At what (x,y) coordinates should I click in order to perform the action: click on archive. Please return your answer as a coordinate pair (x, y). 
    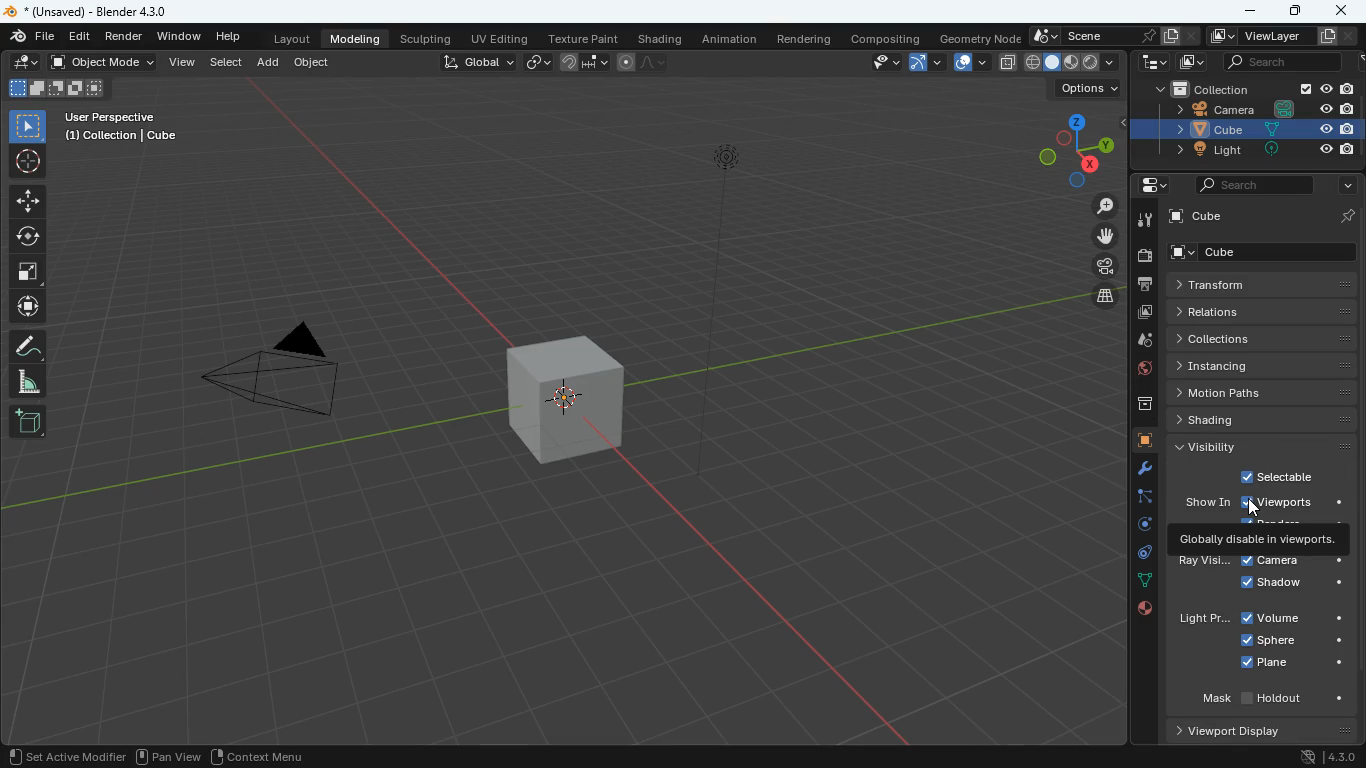
    Looking at the image, I should click on (1135, 404).